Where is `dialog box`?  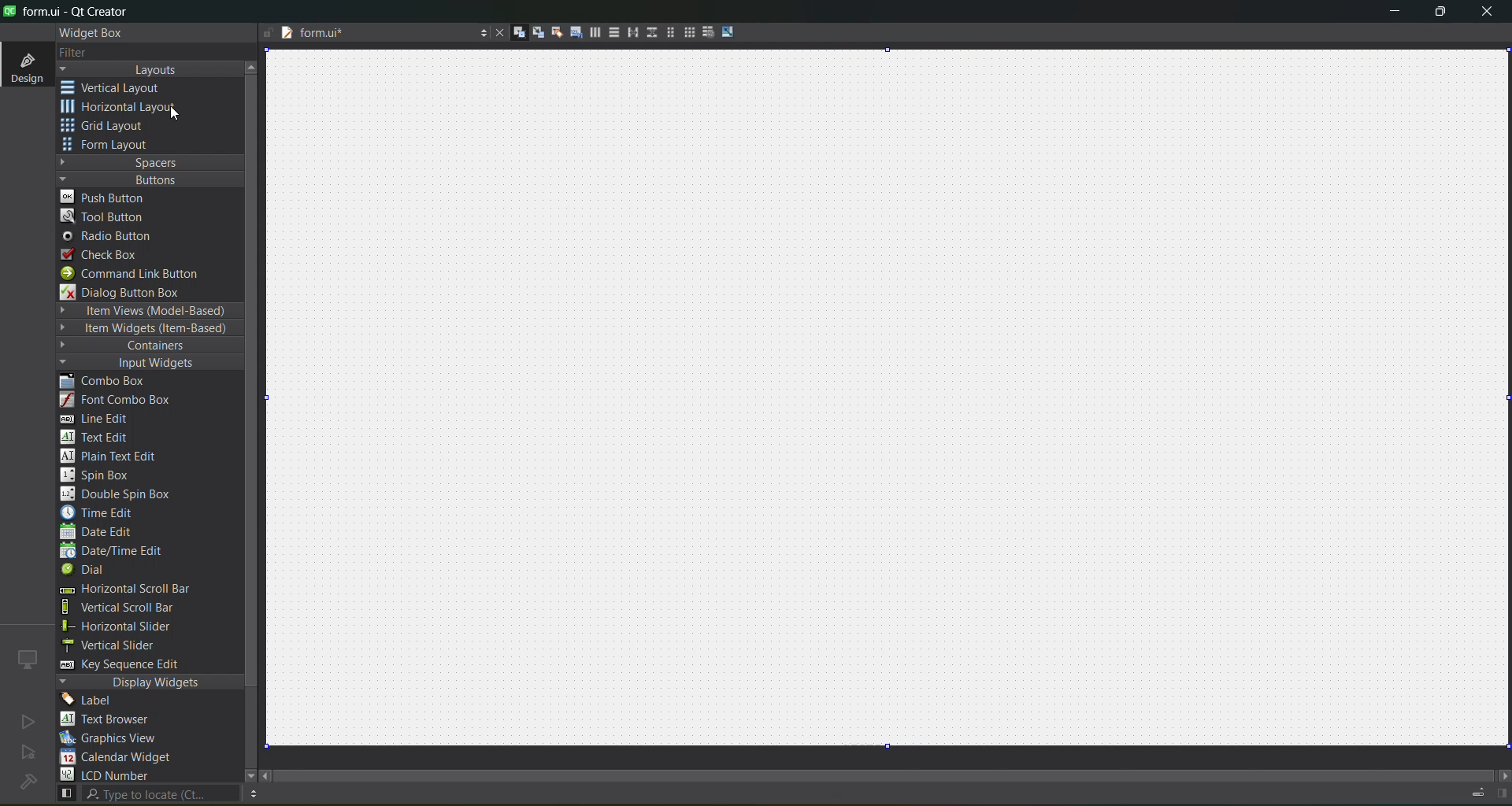 dialog box is located at coordinates (132, 292).